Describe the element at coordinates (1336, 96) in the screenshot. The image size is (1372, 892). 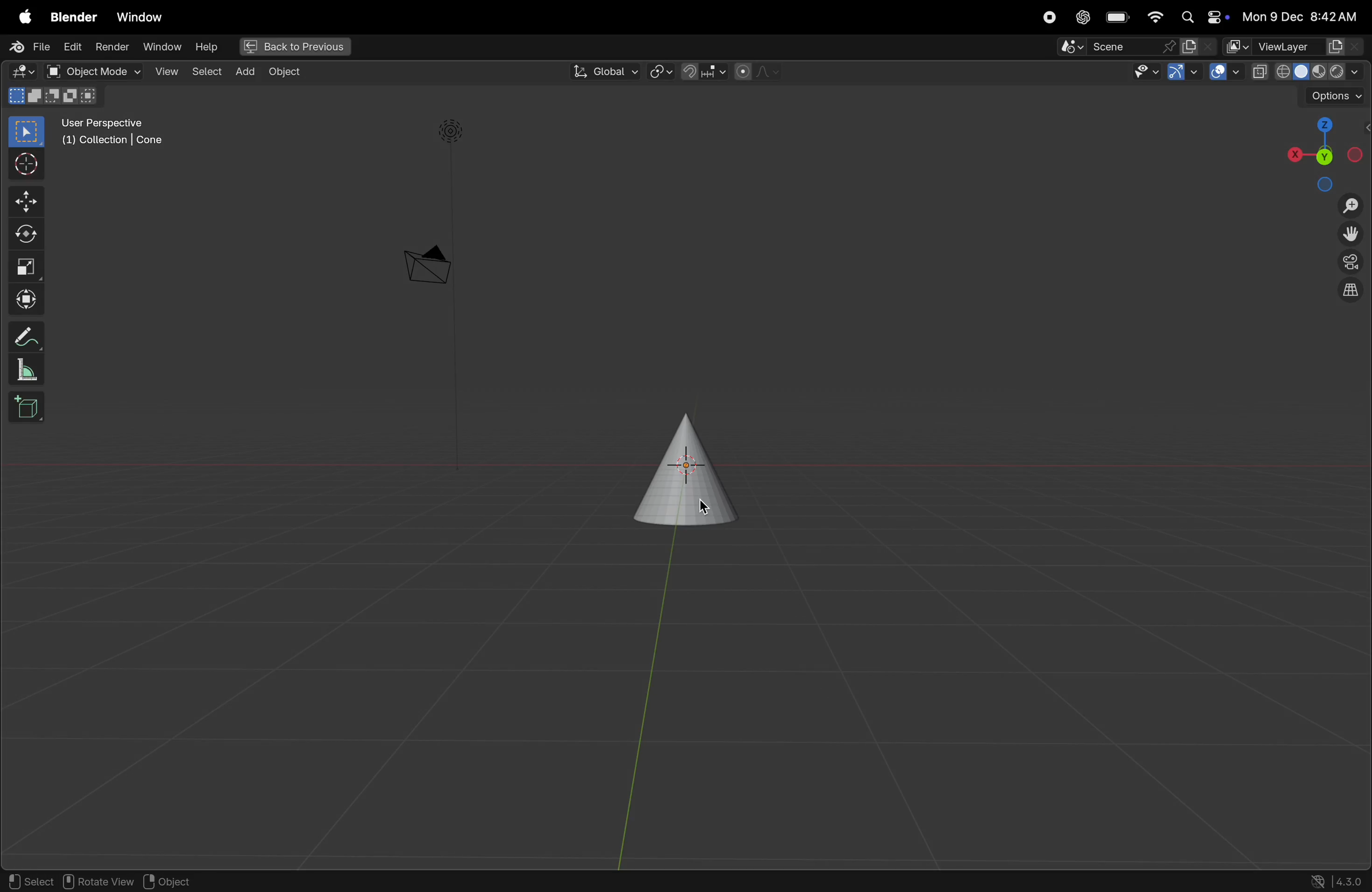
I see `options` at that location.